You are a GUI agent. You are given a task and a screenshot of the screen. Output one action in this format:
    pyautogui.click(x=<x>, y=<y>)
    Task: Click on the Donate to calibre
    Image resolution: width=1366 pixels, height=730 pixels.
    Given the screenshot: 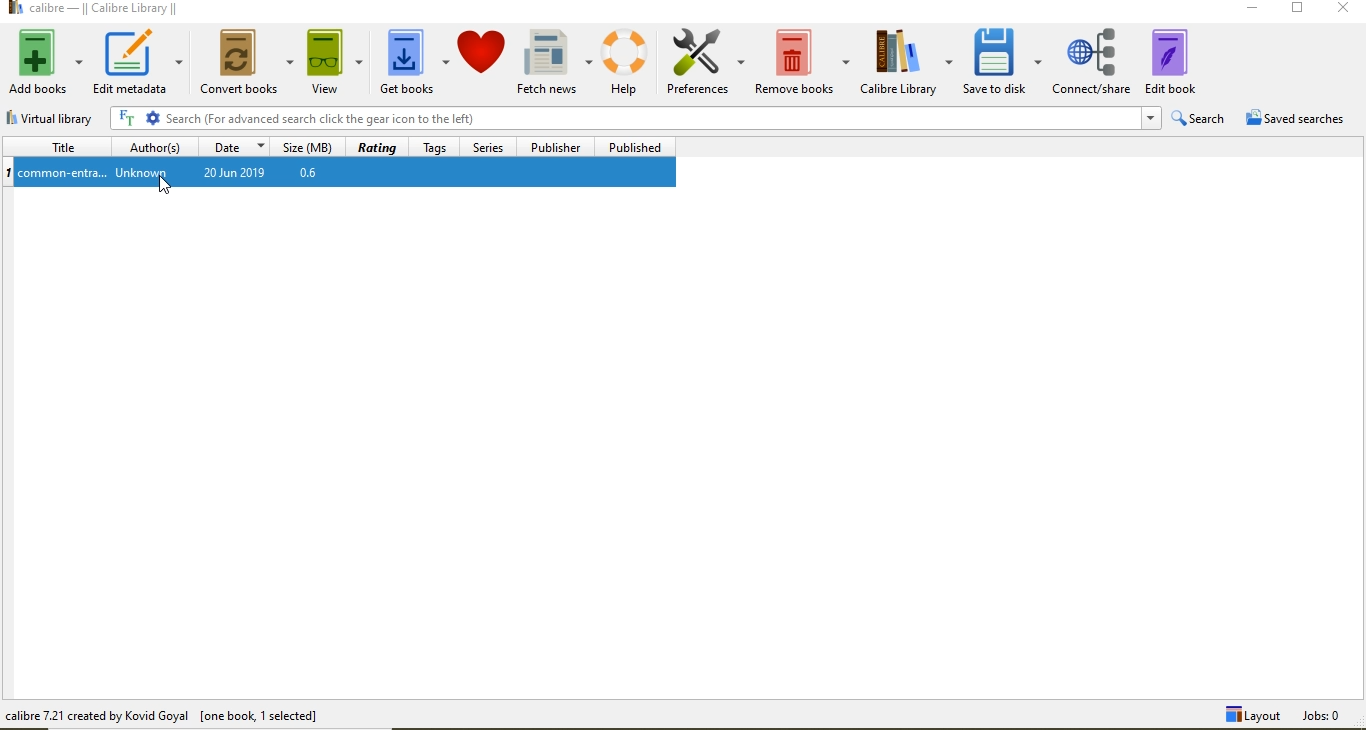 What is the action you would take?
    pyautogui.click(x=483, y=62)
    